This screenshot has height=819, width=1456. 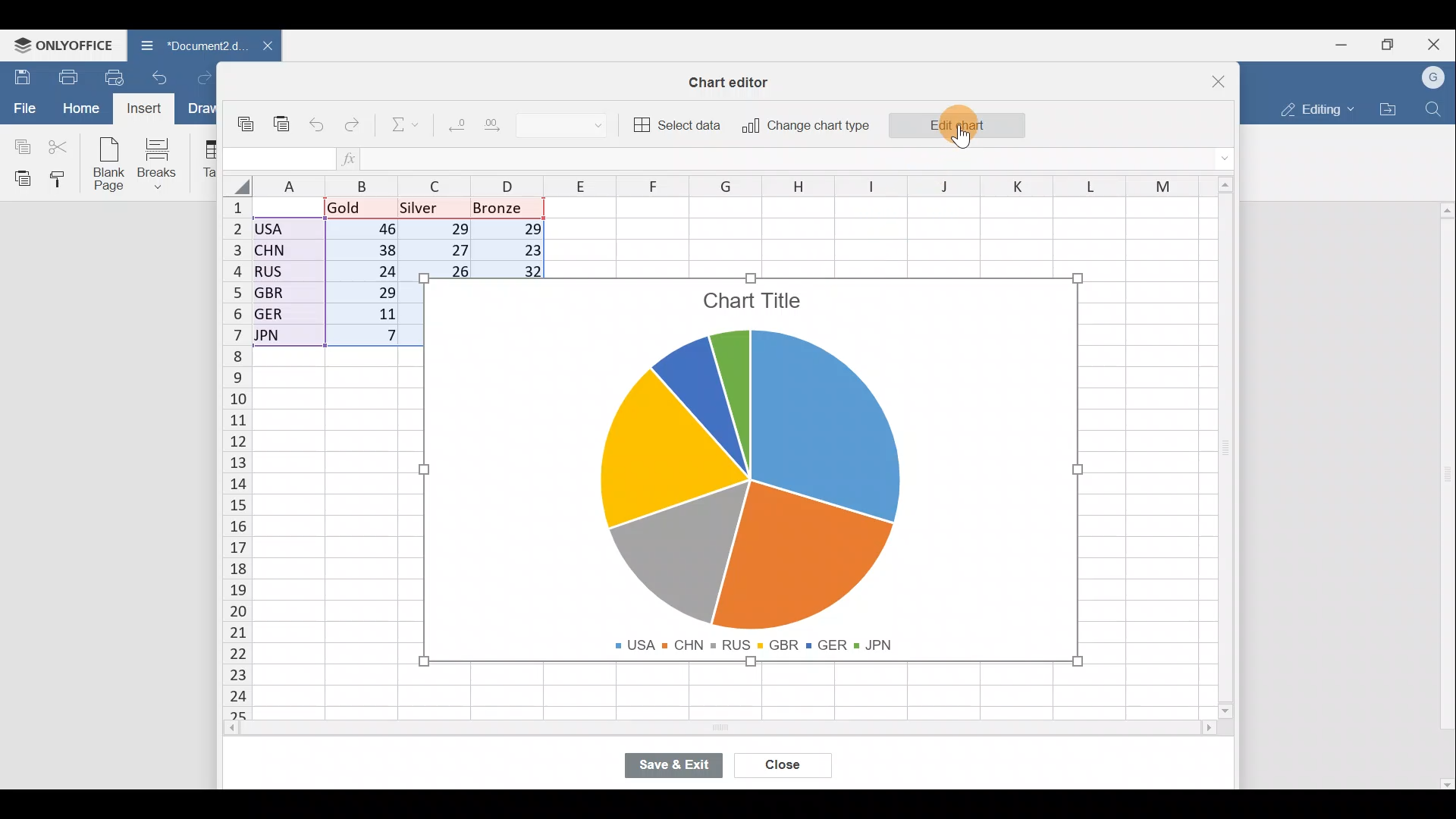 What do you see at coordinates (158, 162) in the screenshot?
I see `Breaks` at bounding box center [158, 162].